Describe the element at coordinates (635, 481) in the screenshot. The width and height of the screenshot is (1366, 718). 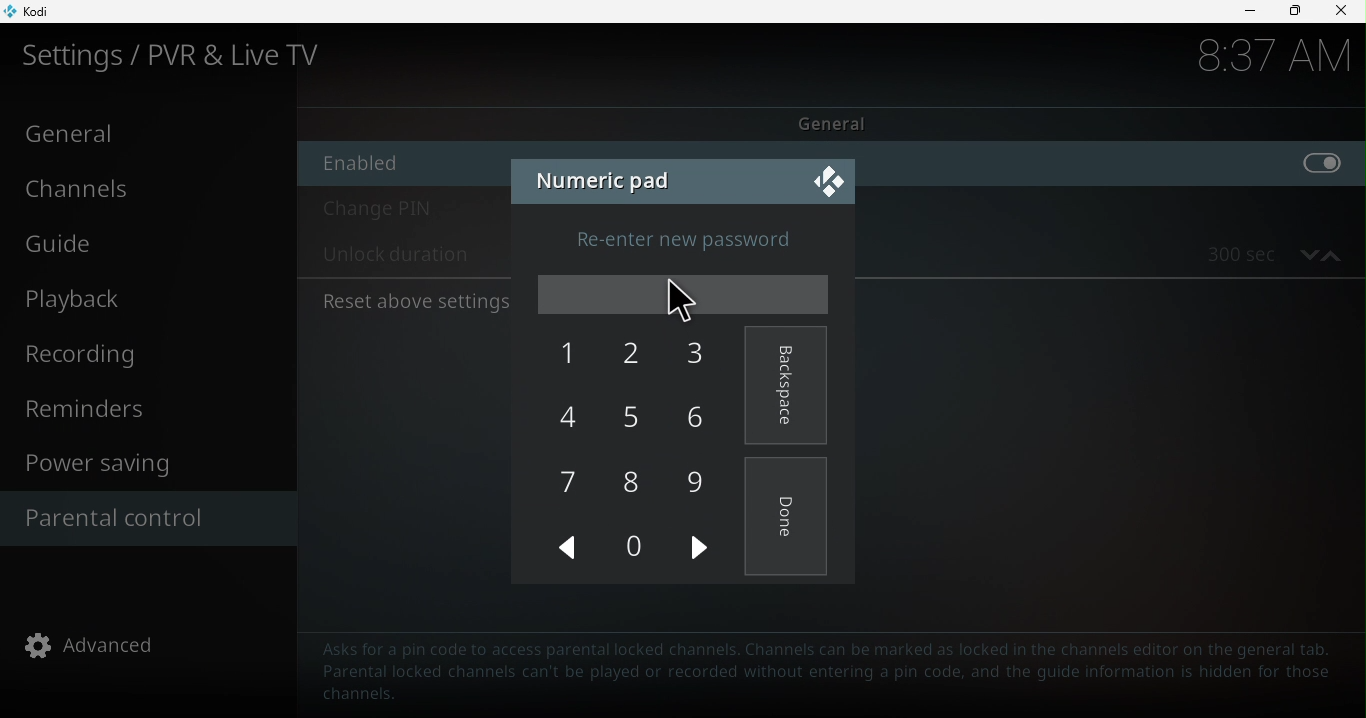
I see `8` at that location.